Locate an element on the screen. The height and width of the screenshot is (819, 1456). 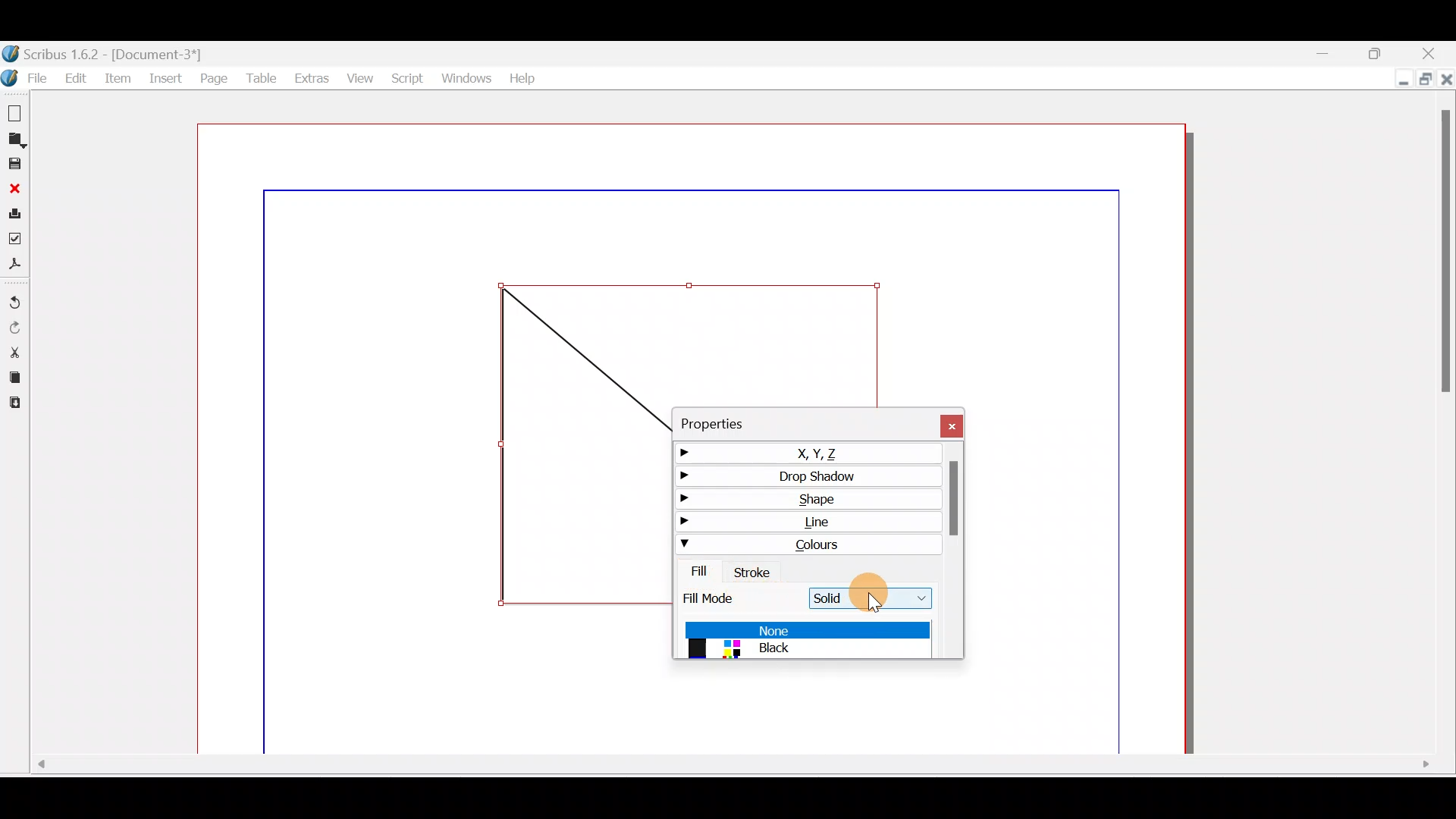
Black is located at coordinates (806, 650).